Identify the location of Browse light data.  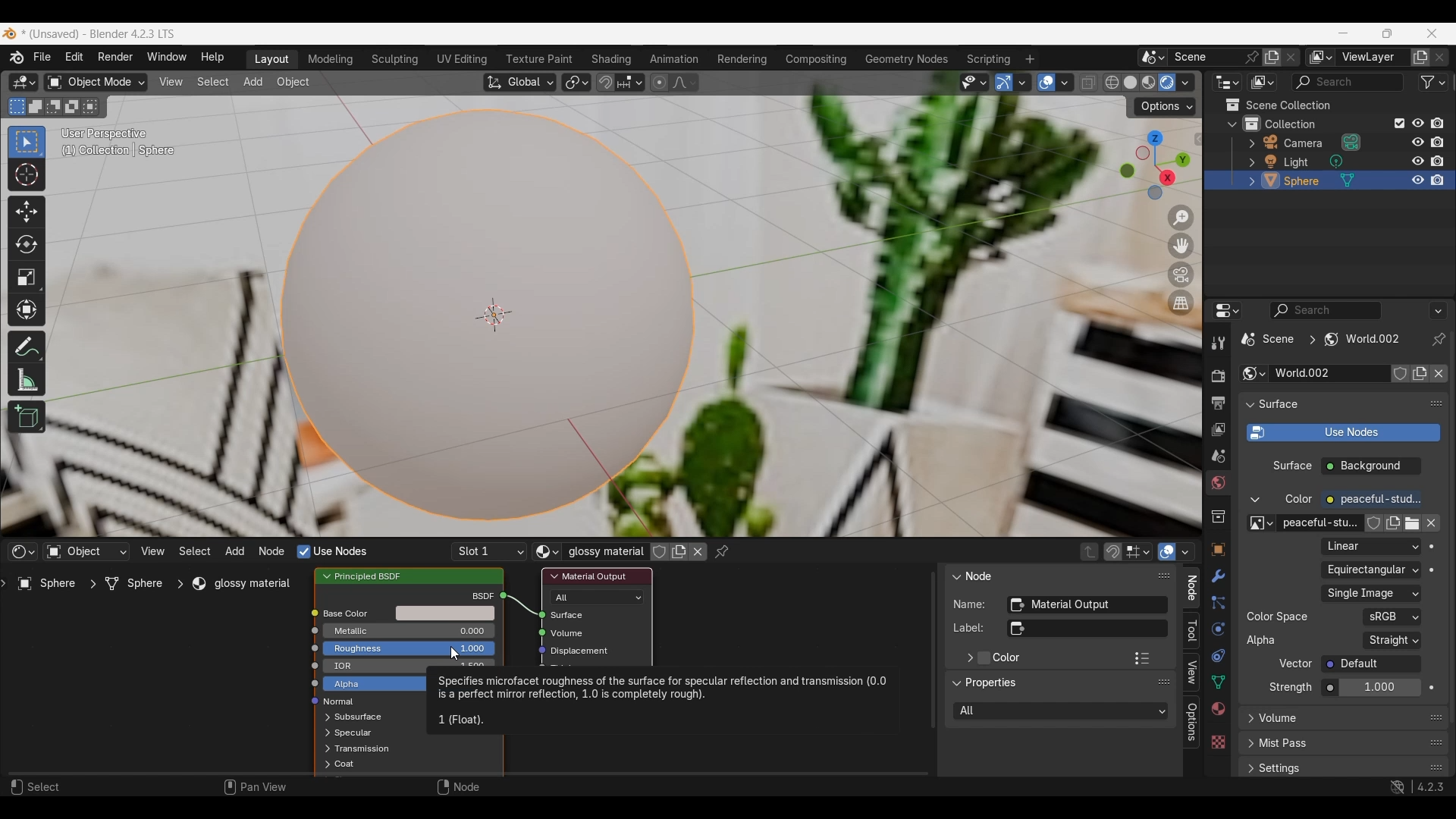
(1335, 161).